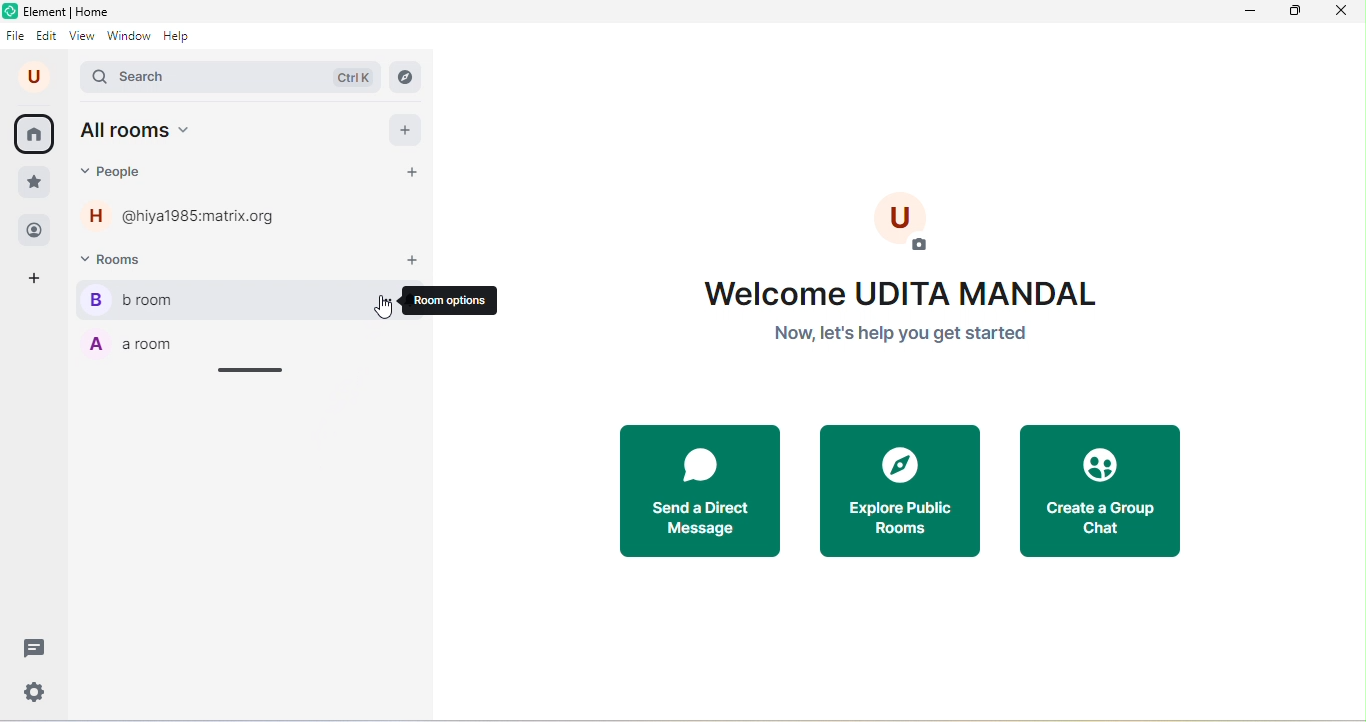  Describe the element at coordinates (1247, 12) in the screenshot. I see `minimize` at that location.